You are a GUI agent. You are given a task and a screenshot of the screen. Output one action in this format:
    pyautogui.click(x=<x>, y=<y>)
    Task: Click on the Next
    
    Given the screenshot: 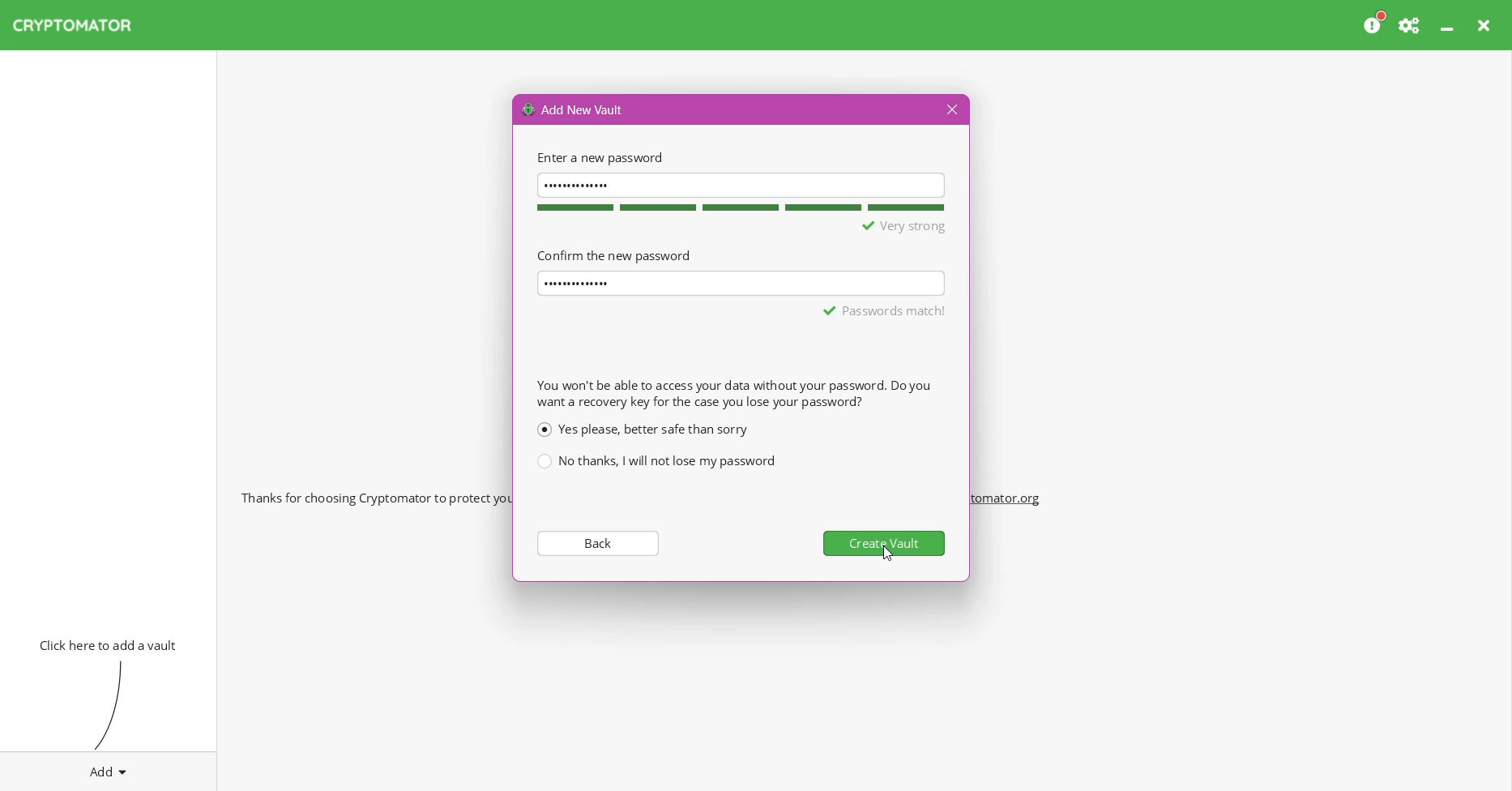 What is the action you would take?
    pyautogui.click(x=886, y=543)
    